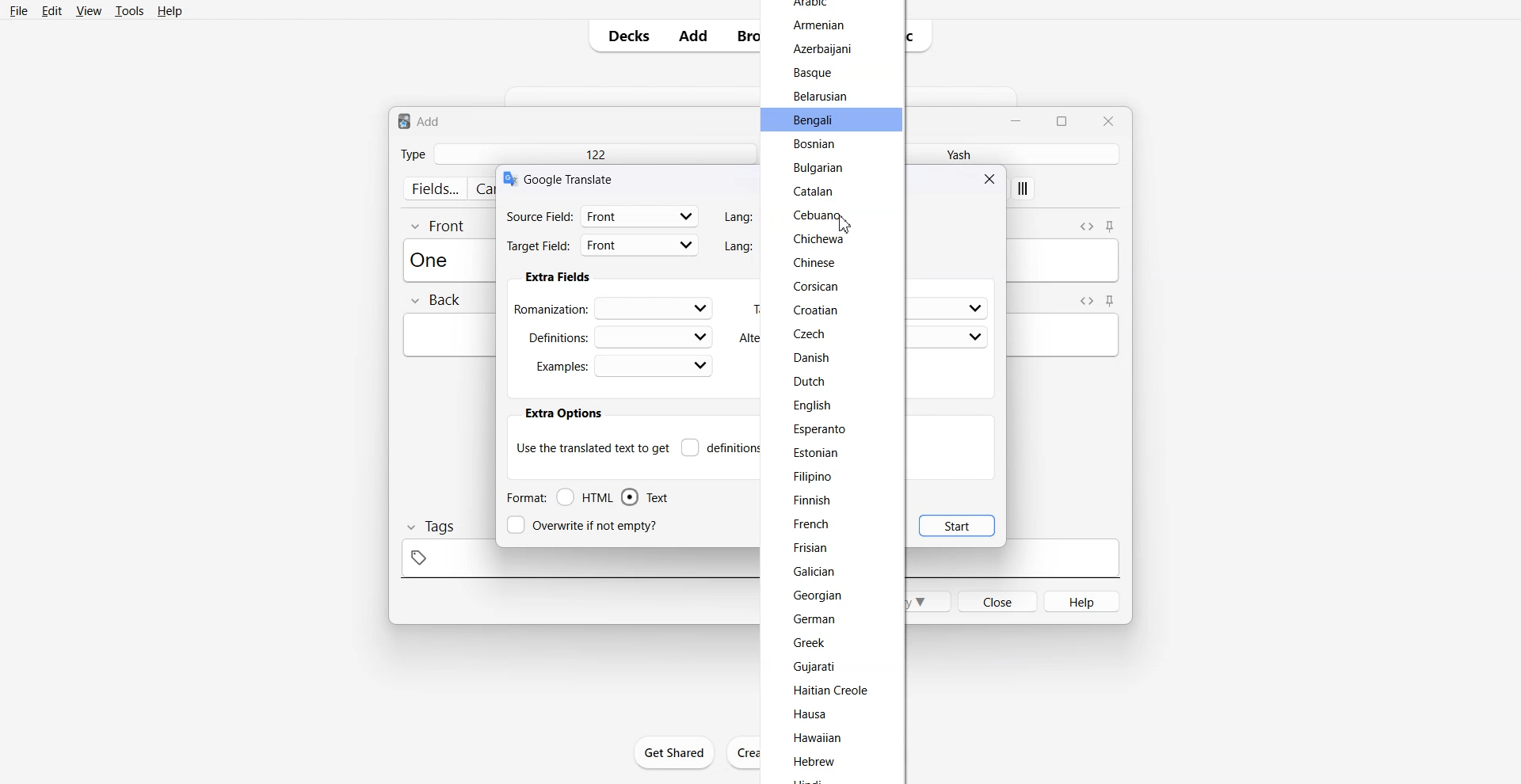  I want to click on Front, so click(439, 225).